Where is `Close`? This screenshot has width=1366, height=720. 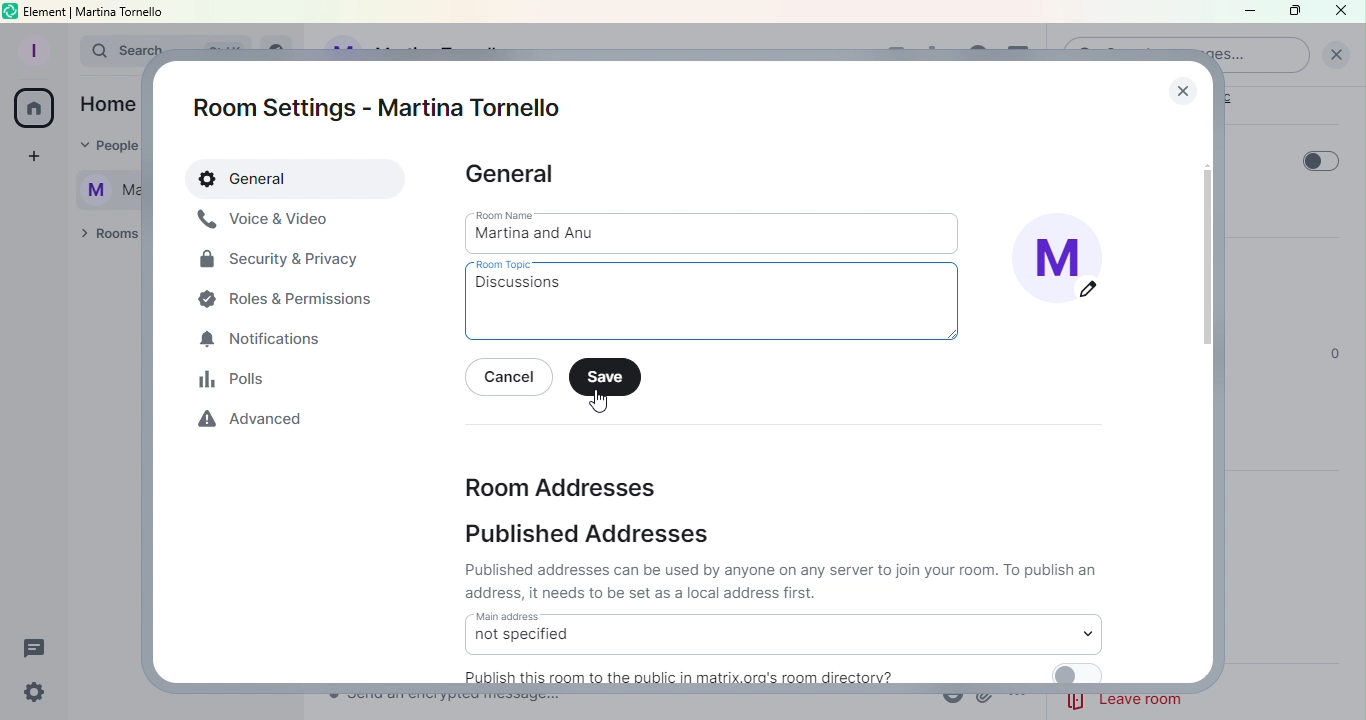
Close is located at coordinates (1343, 12).